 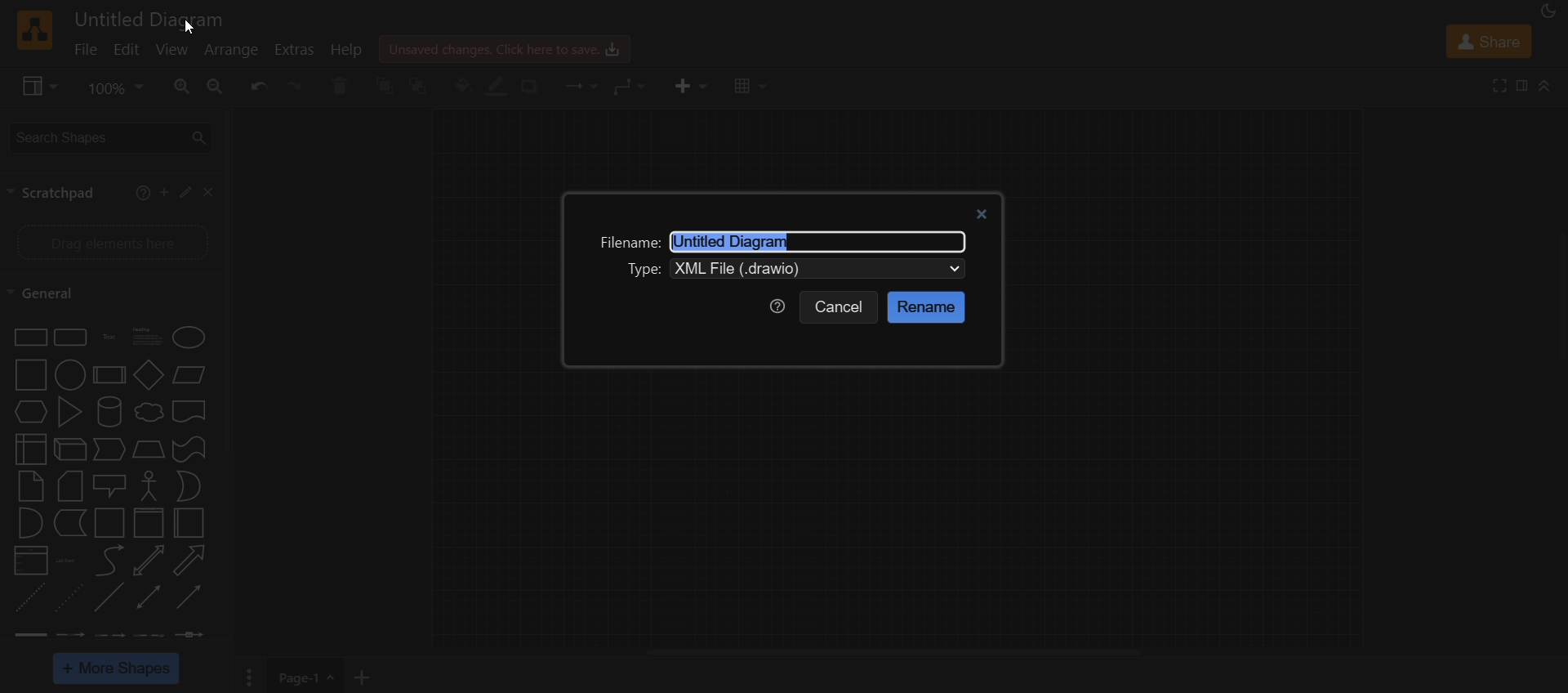 What do you see at coordinates (747, 87) in the screenshot?
I see `table` at bounding box center [747, 87].